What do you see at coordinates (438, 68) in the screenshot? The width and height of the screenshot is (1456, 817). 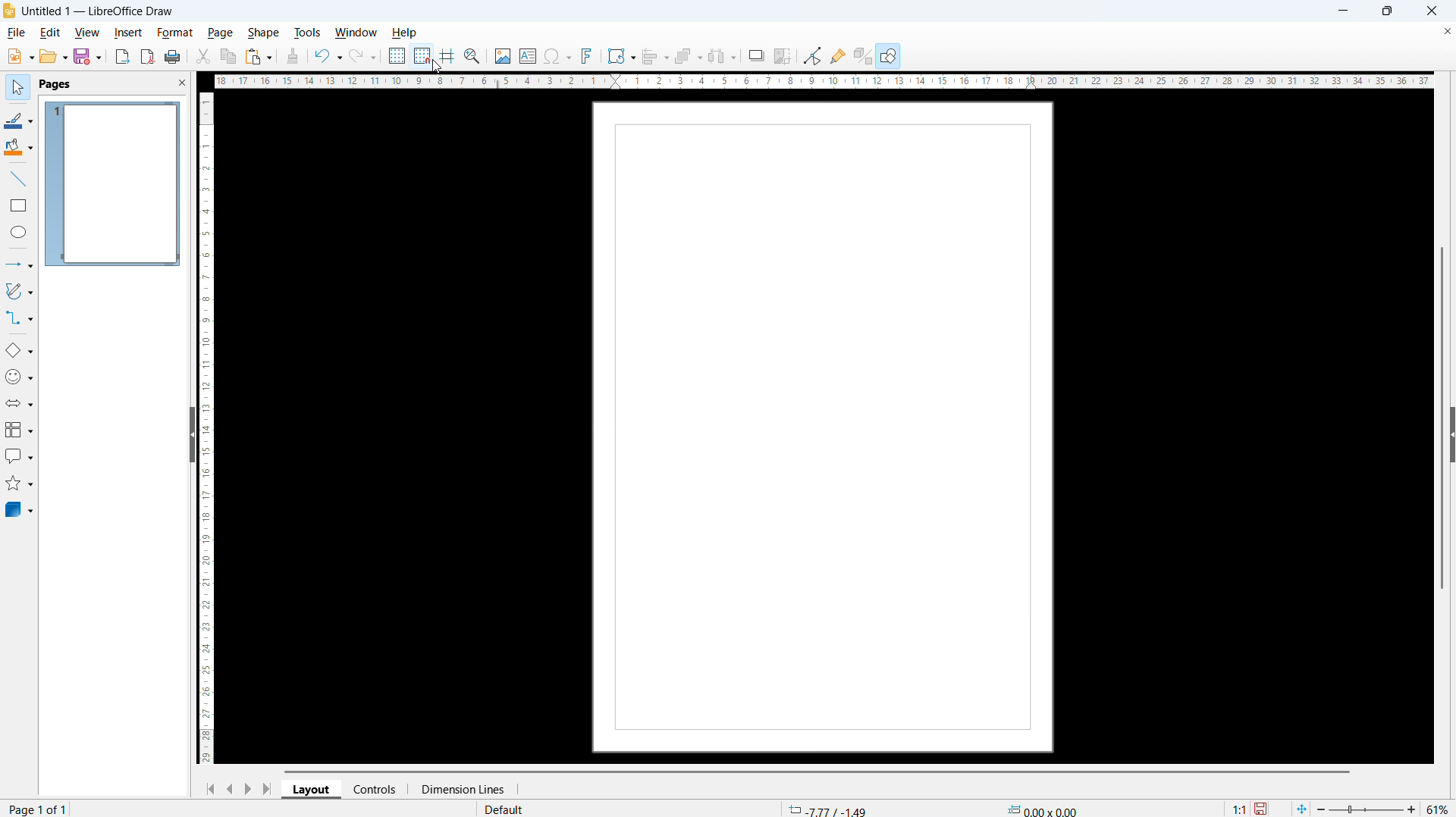 I see `Cursor ` at bounding box center [438, 68].